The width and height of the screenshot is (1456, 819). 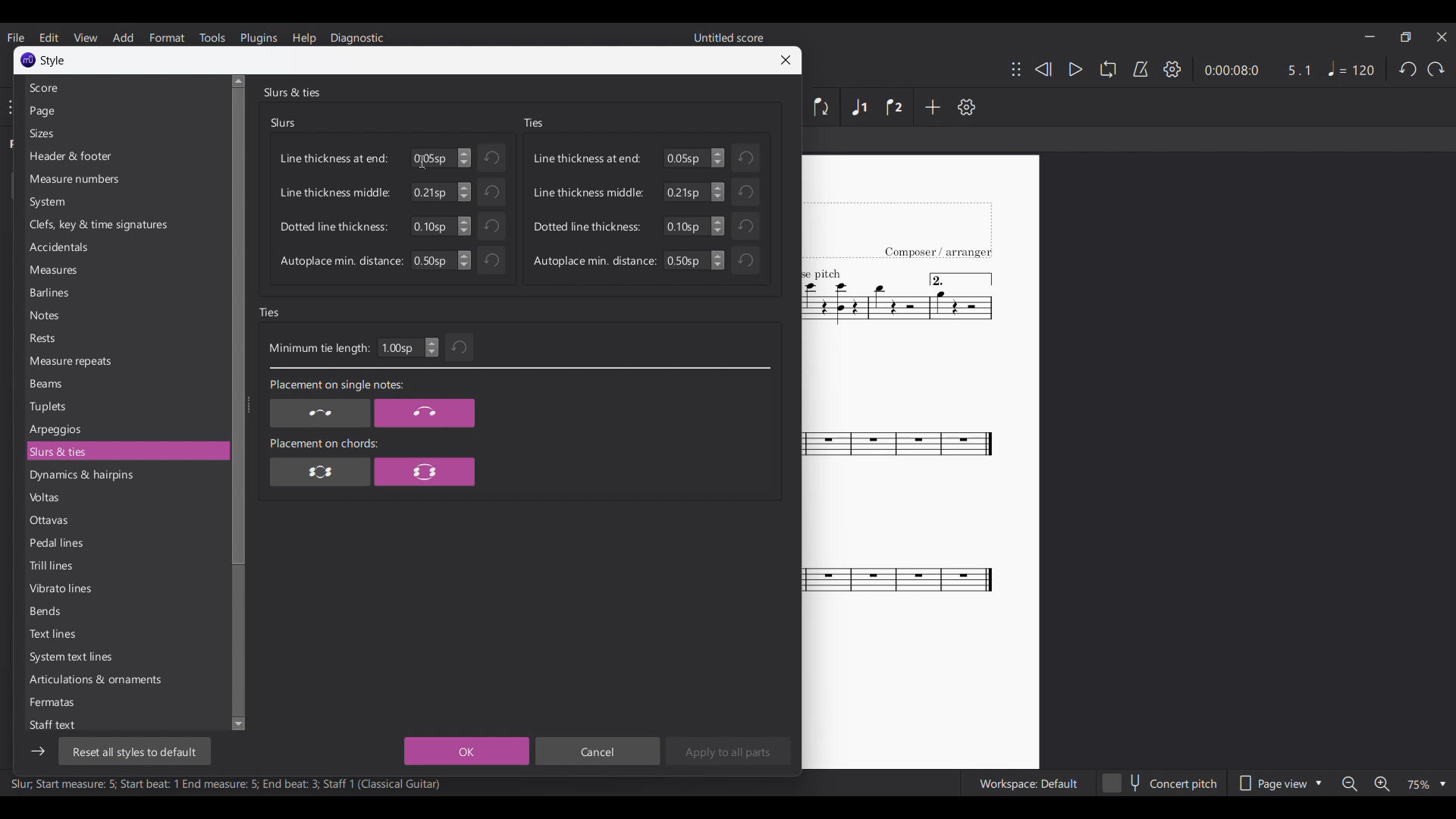 What do you see at coordinates (1028, 783) in the screenshot?
I see `Workspace: Default` at bounding box center [1028, 783].